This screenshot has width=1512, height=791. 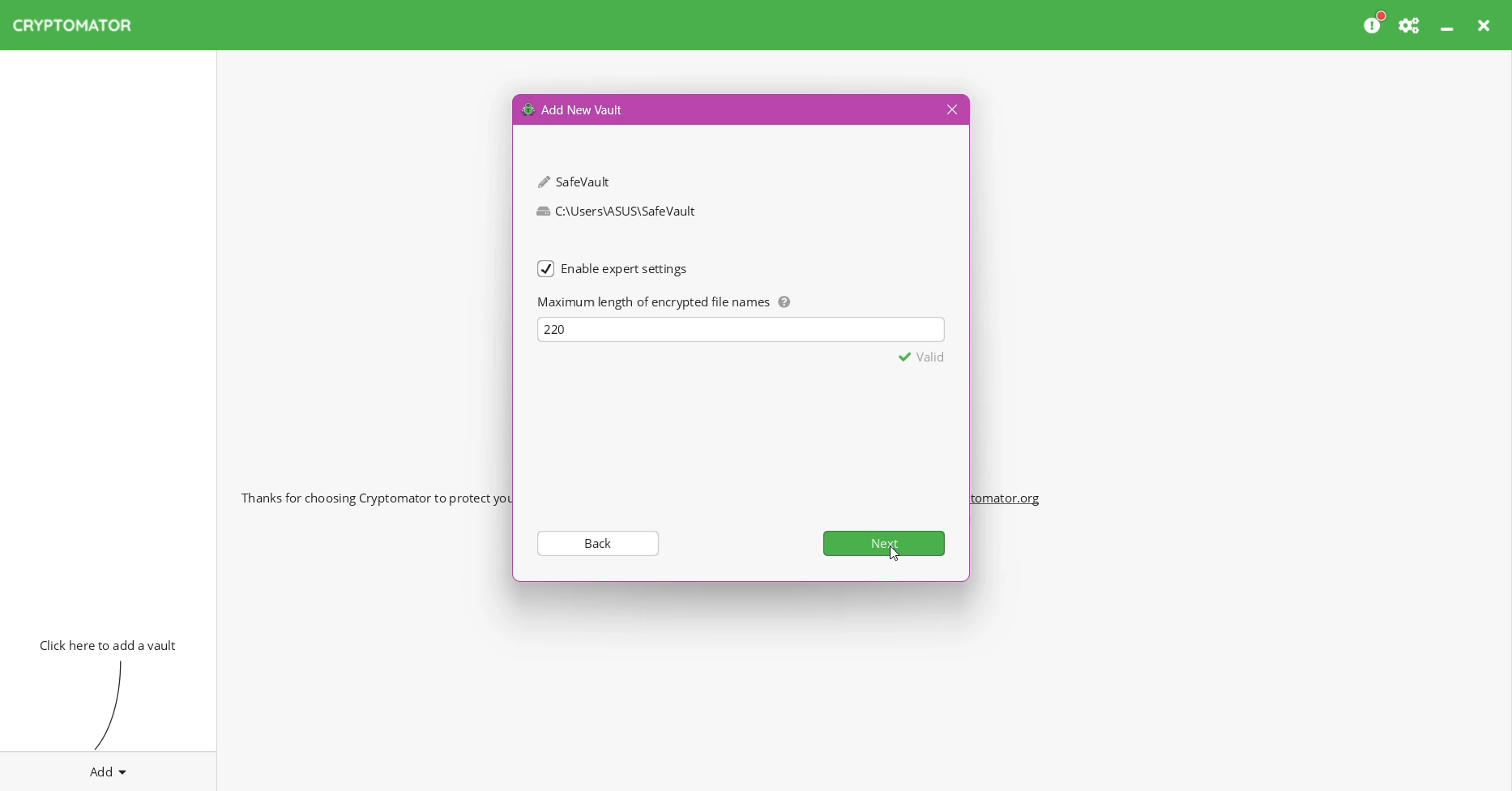 What do you see at coordinates (572, 182) in the screenshot?
I see `SafeVault` at bounding box center [572, 182].